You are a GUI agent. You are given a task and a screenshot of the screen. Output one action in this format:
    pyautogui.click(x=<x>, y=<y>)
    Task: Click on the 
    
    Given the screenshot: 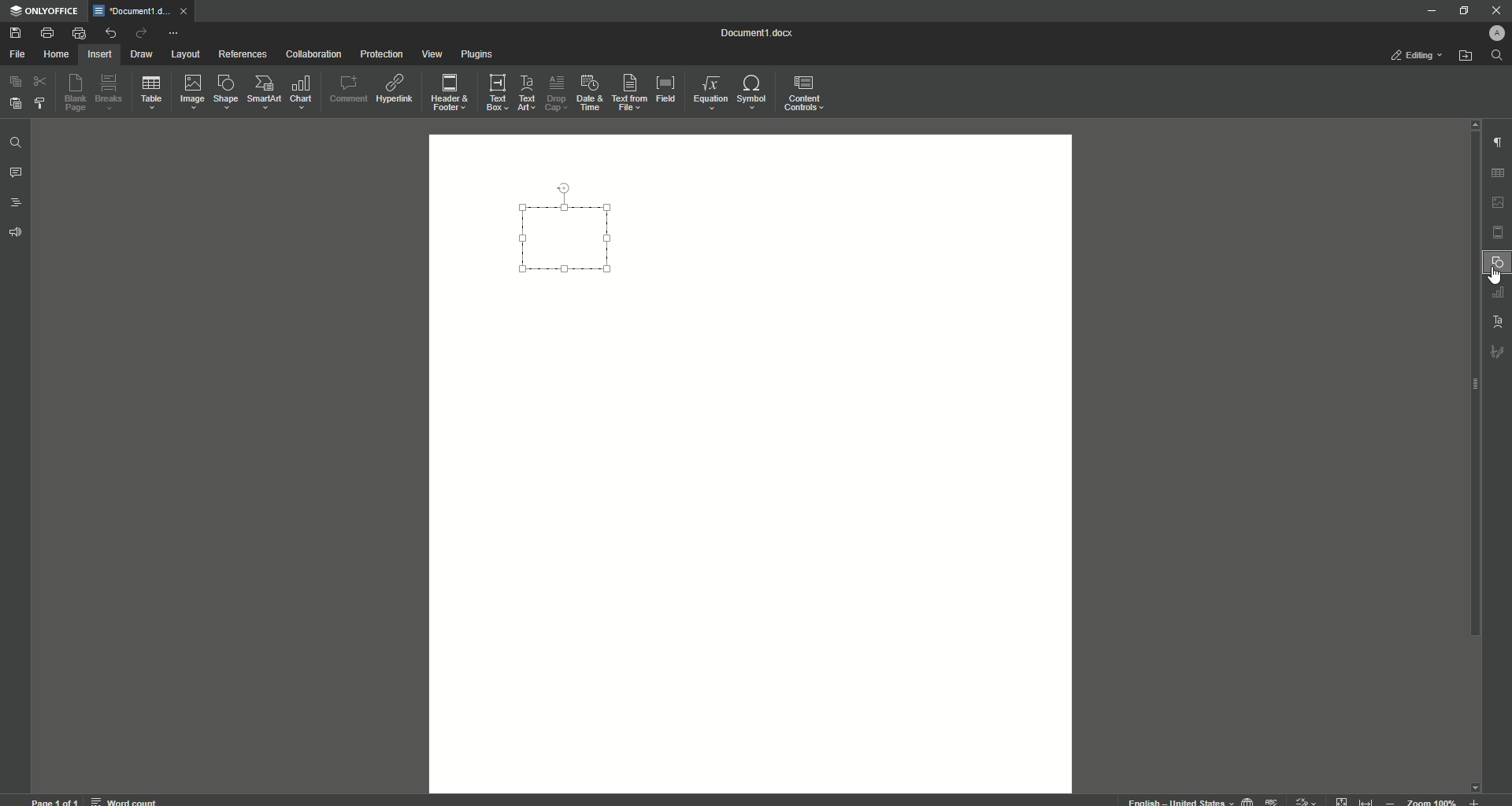 What is the action you would take?
    pyautogui.click(x=381, y=56)
    